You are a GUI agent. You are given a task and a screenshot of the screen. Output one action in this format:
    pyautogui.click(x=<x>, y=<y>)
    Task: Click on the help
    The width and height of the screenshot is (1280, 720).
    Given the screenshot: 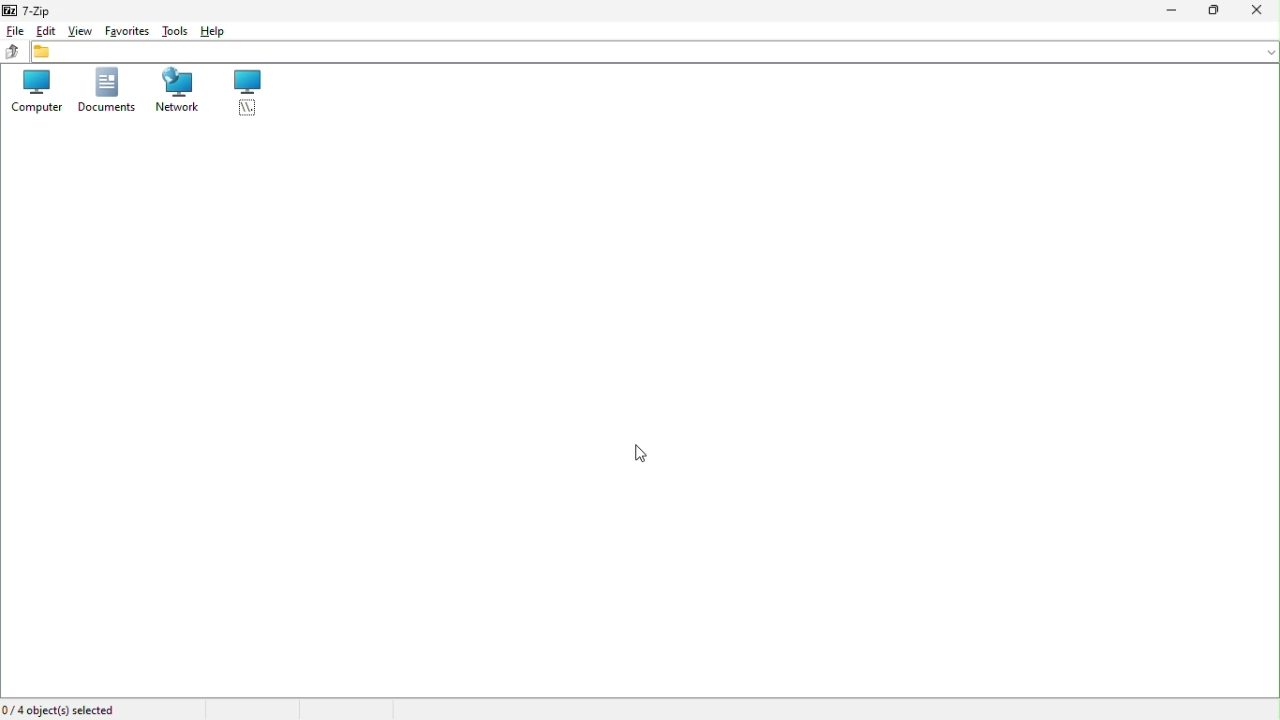 What is the action you would take?
    pyautogui.click(x=219, y=30)
    